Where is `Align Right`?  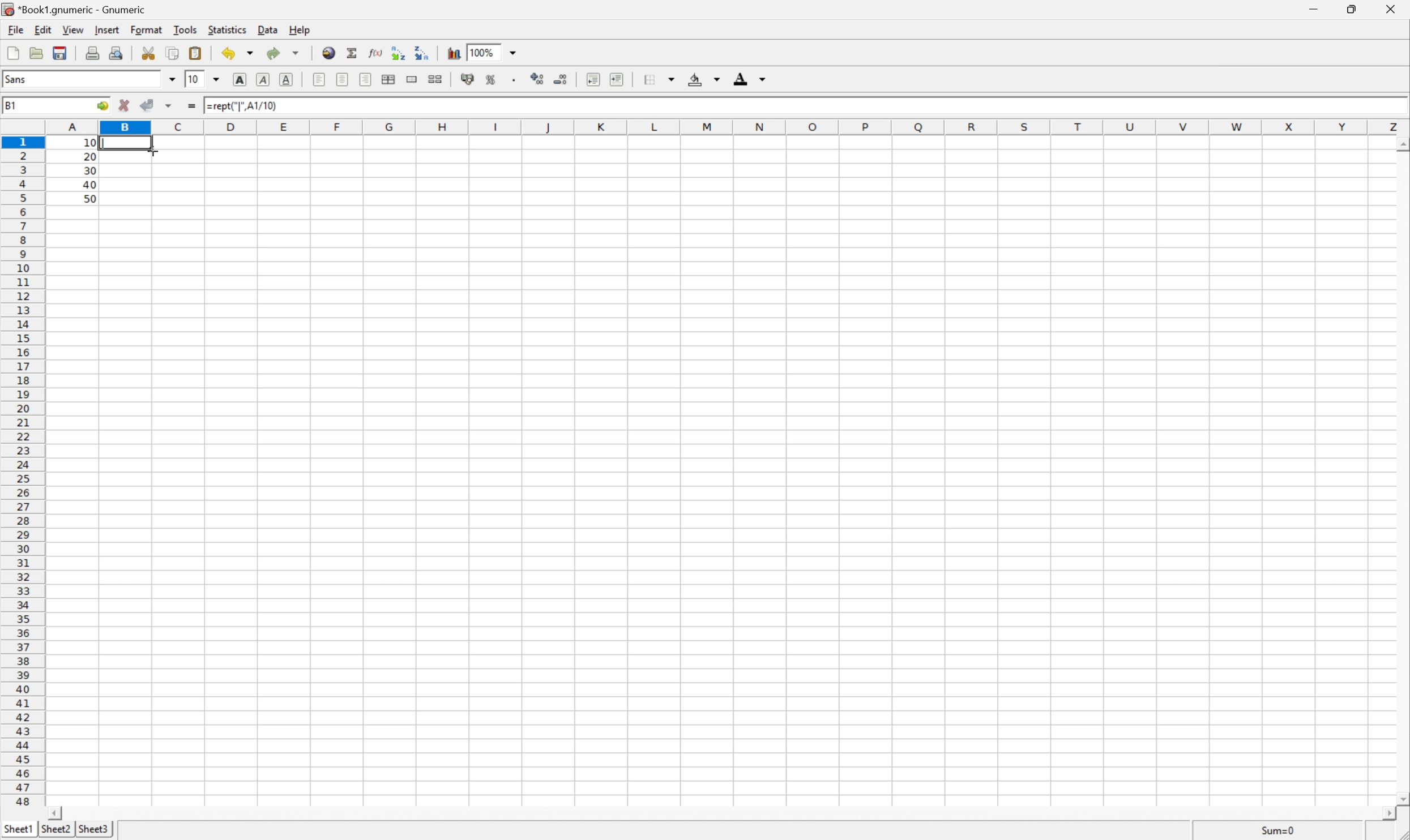
Align Right is located at coordinates (366, 79).